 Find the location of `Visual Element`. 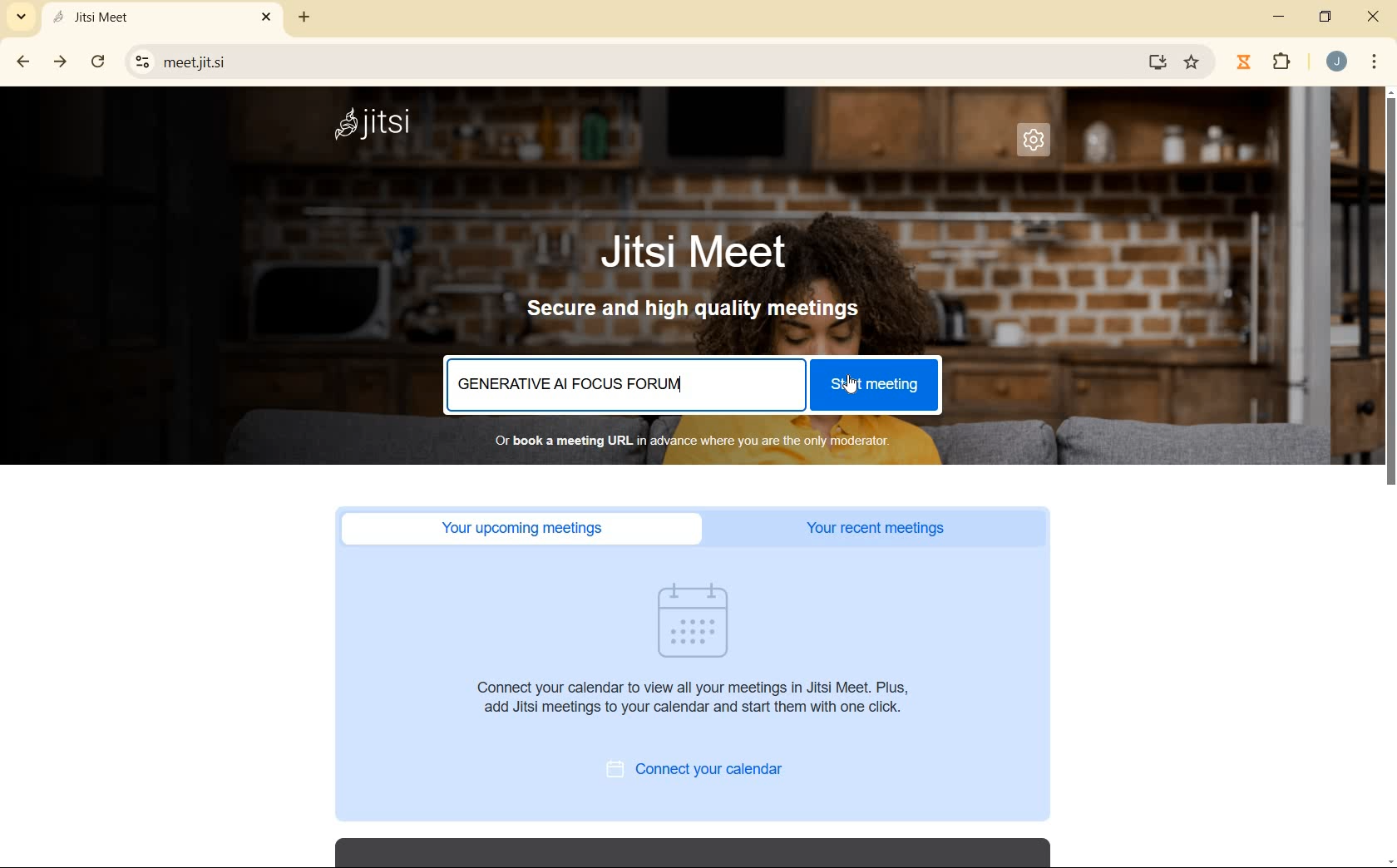

Visual Element is located at coordinates (694, 619).